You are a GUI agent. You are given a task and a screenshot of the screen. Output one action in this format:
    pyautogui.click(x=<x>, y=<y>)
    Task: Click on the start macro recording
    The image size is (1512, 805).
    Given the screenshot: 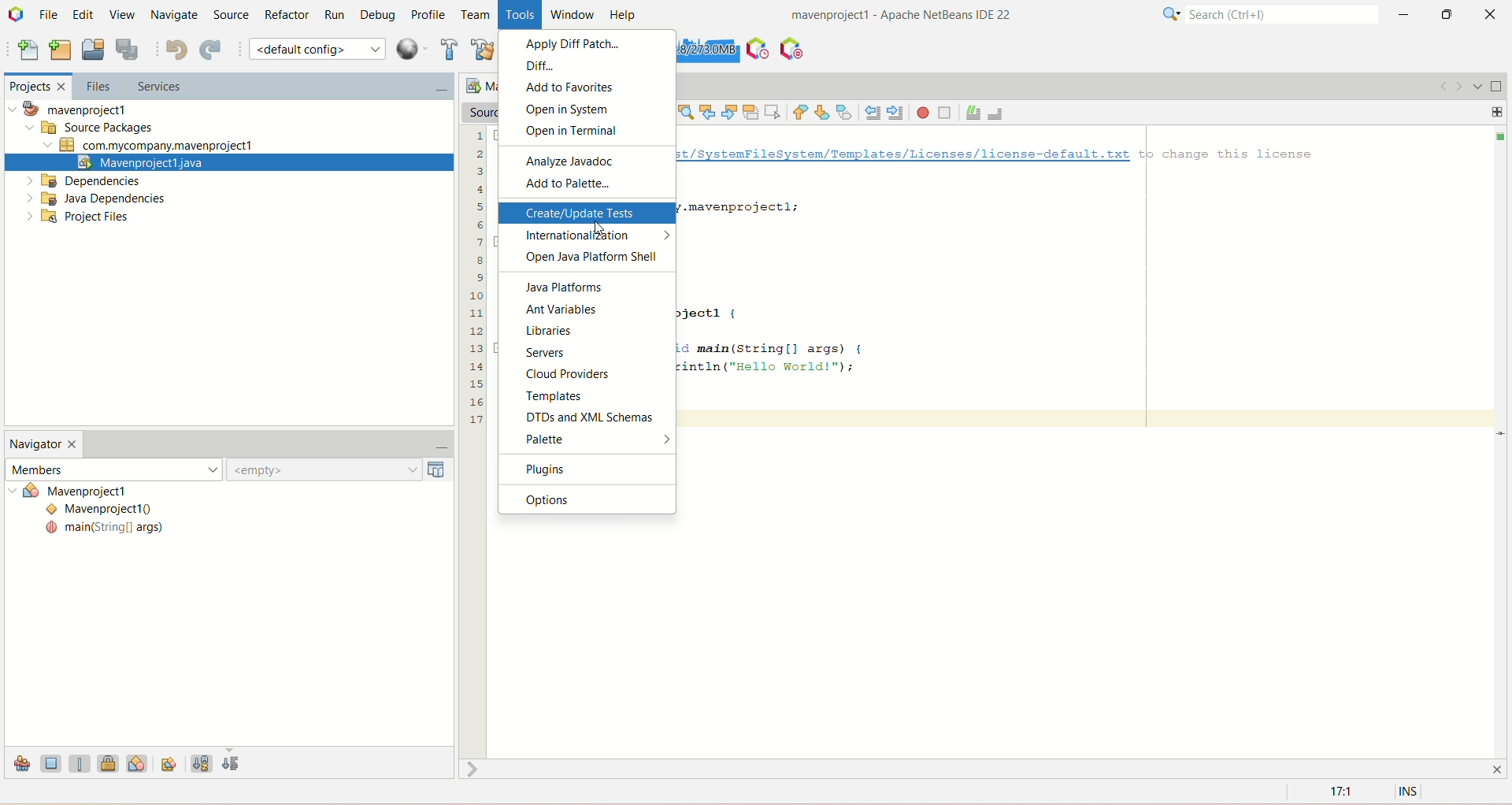 What is the action you would take?
    pyautogui.click(x=924, y=113)
    